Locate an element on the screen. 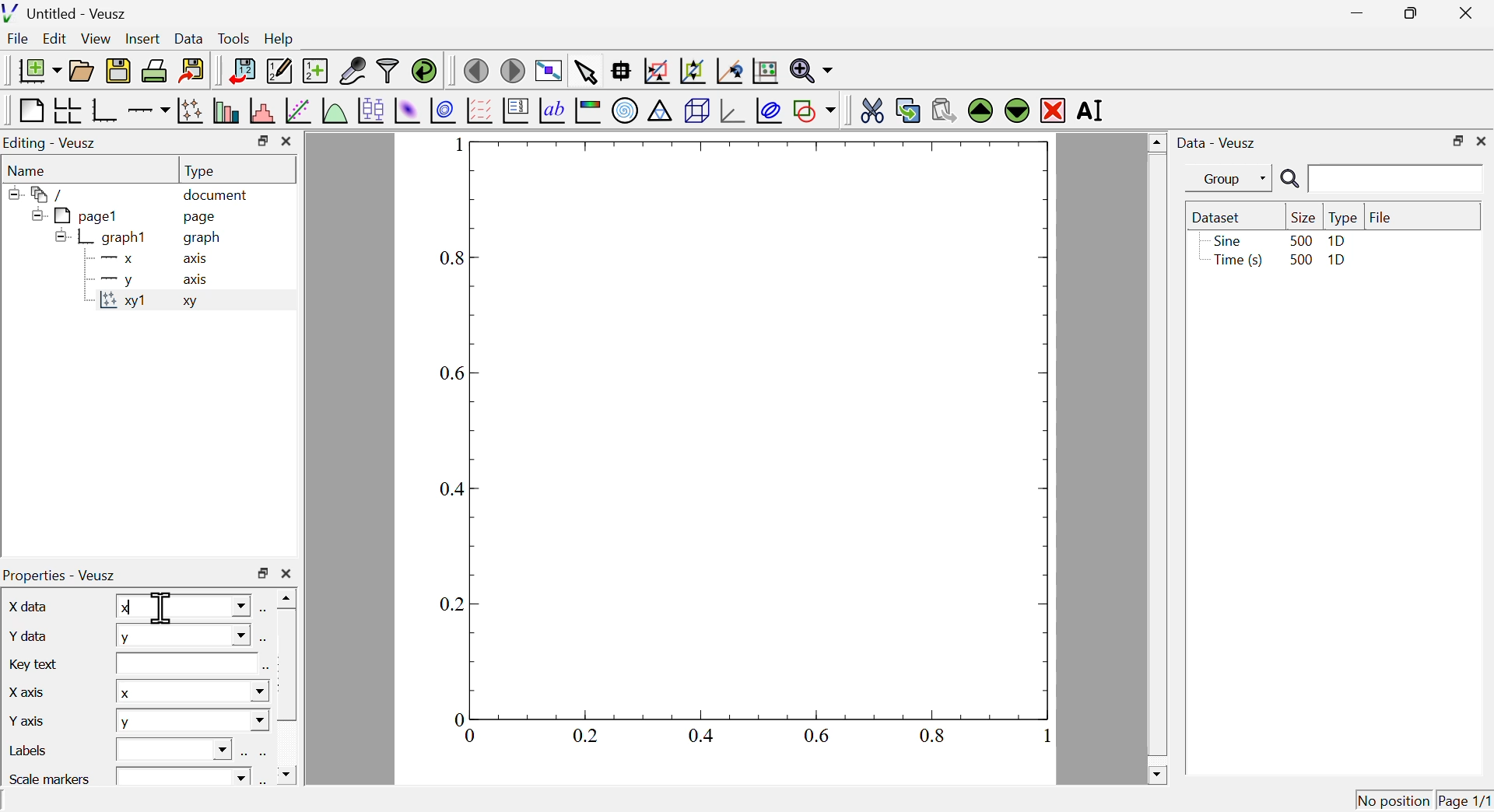 The image size is (1494, 812). sine is located at coordinates (1226, 240).